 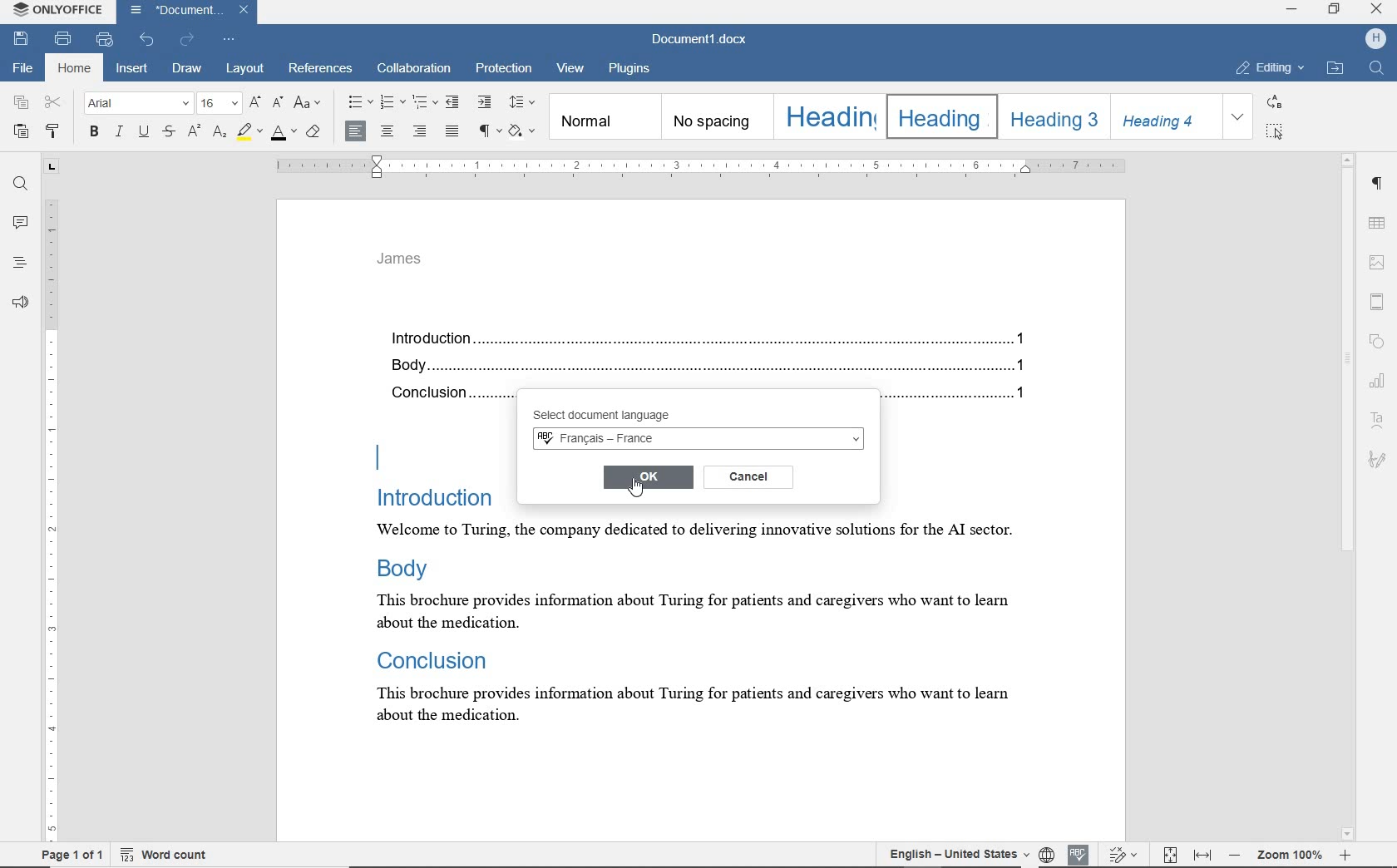 I want to click on numbering, so click(x=393, y=102).